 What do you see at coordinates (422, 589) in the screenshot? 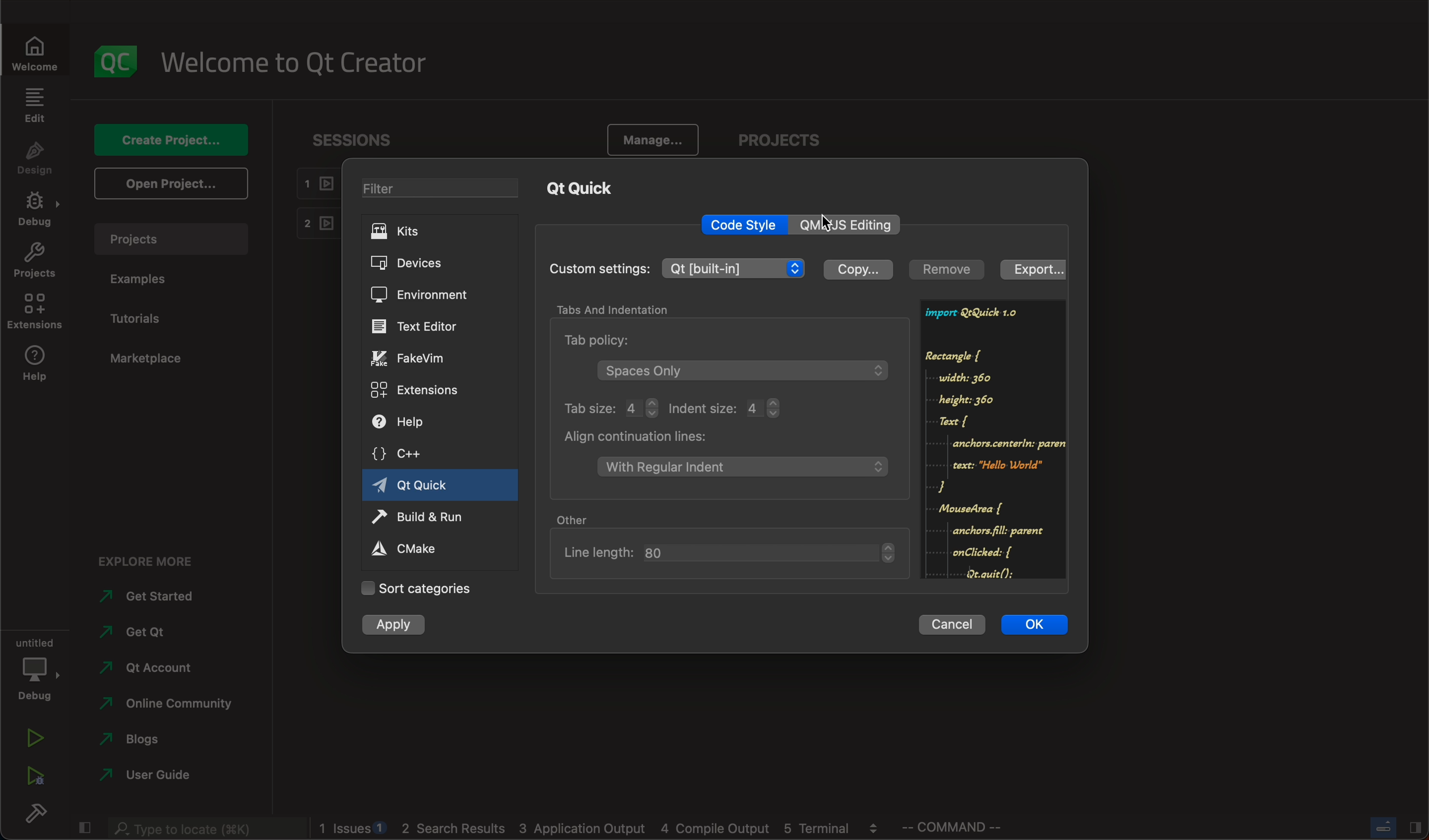
I see `categories` at bounding box center [422, 589].